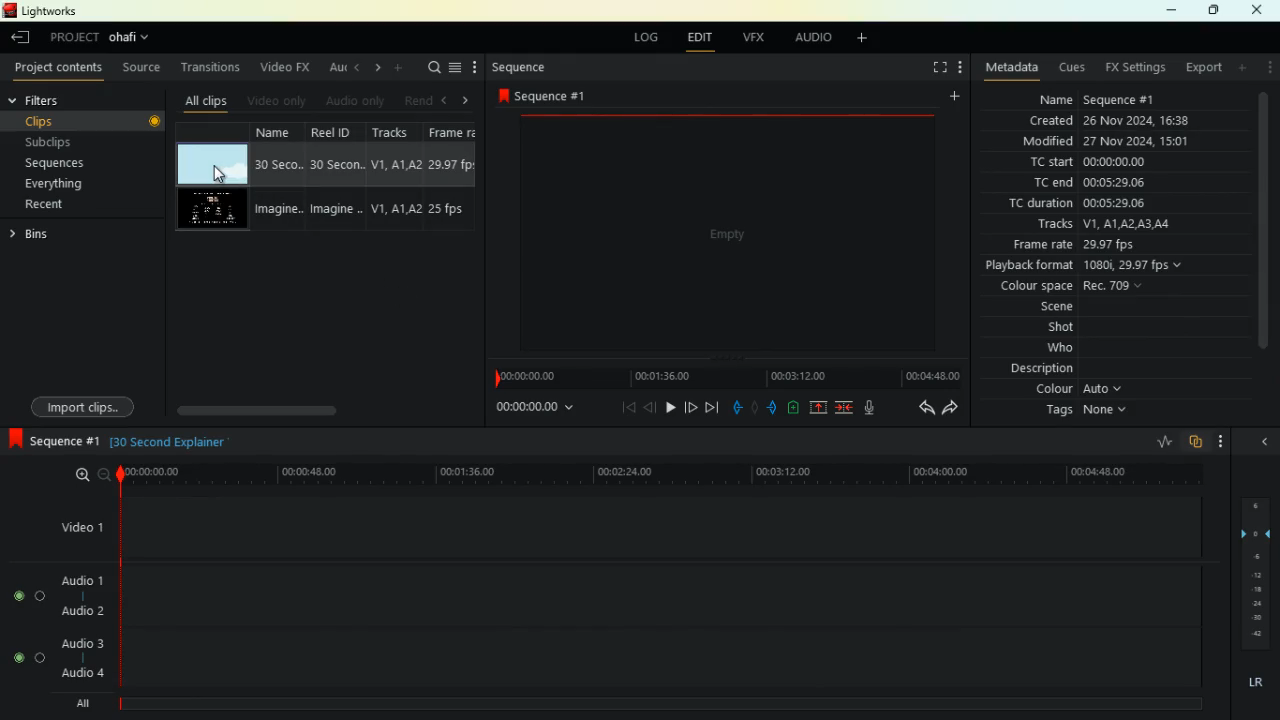  What do you see at coordinates (750, 37) in the screenshot?
I see `vfx` at bounding box center [750, 37].